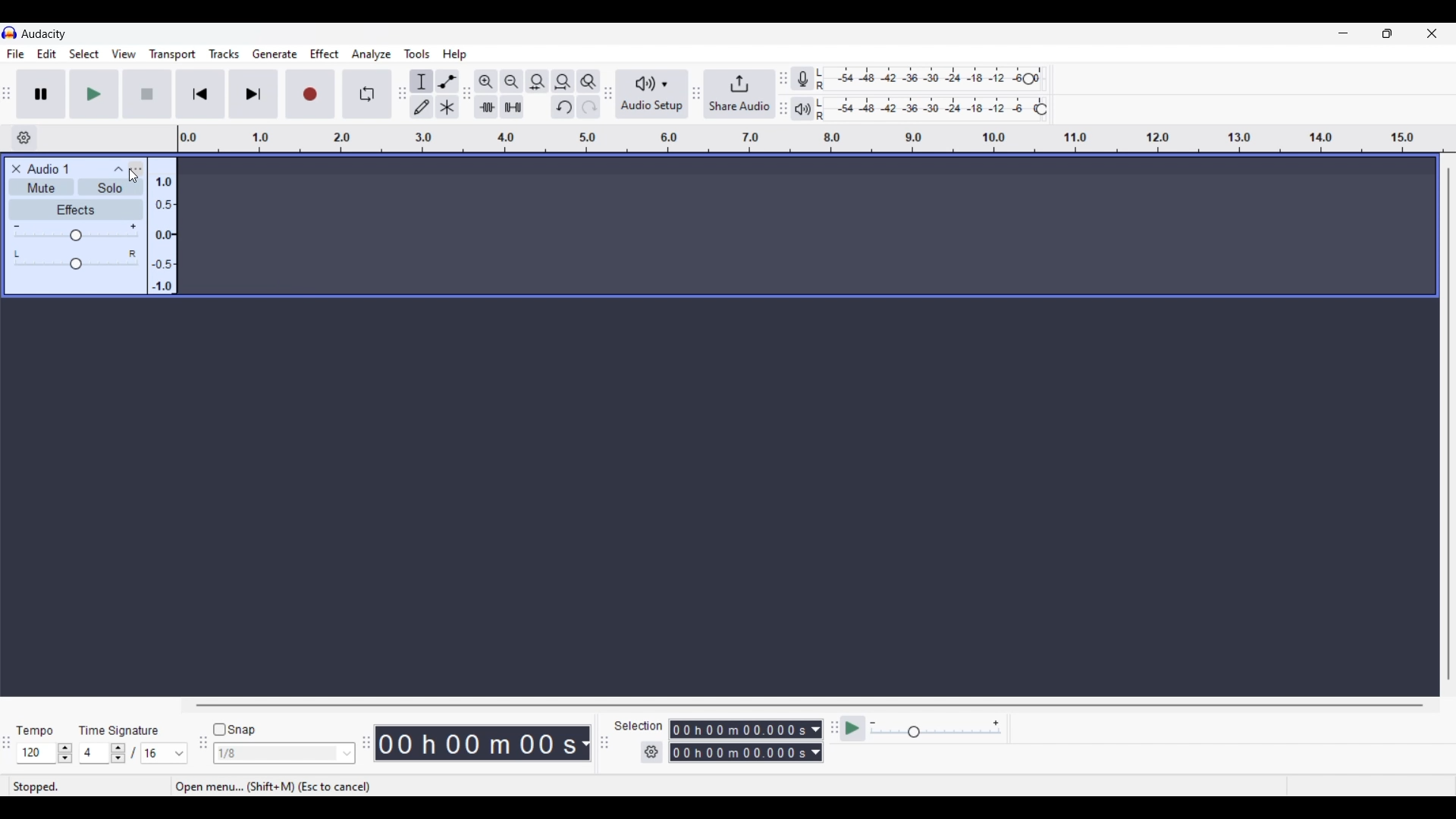 This screenshot has width=1456, height=819. Describe the element at coordinates (253, 94) in the screenshot. I see `Skip to end/Select to end` at that location.